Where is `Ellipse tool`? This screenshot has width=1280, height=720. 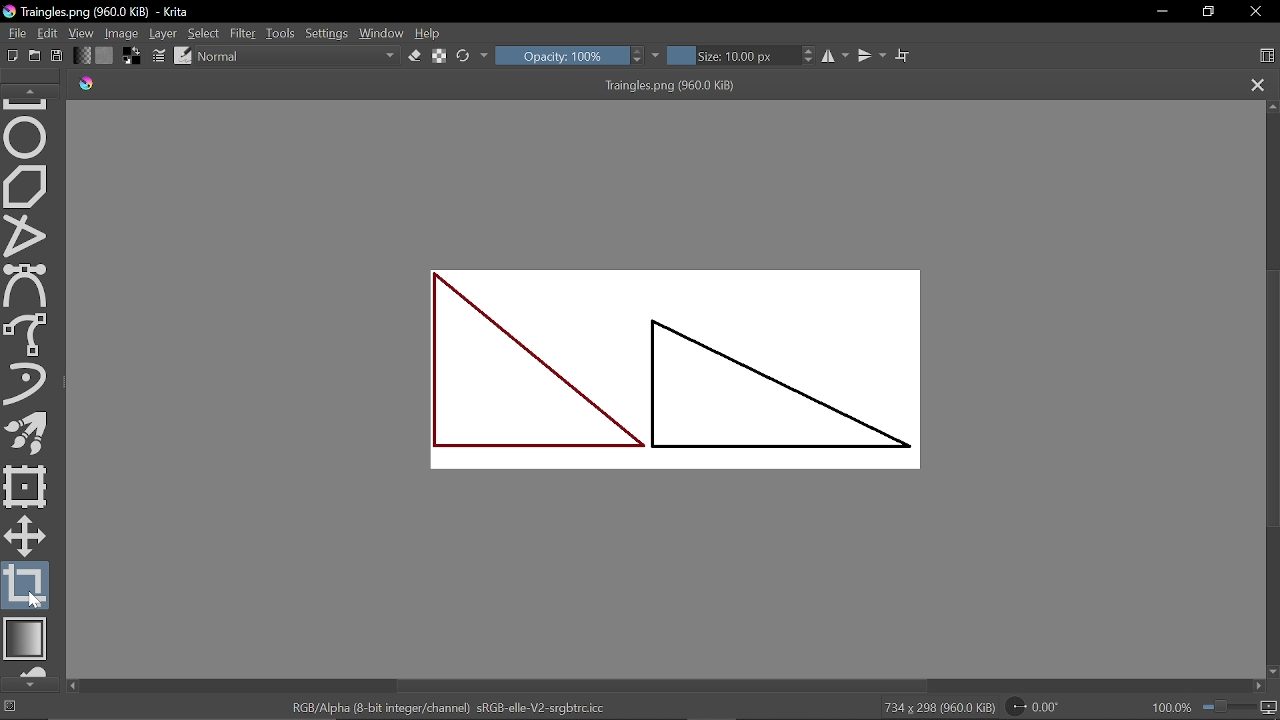
Ellipse tool is located at coordinates (27, 136).